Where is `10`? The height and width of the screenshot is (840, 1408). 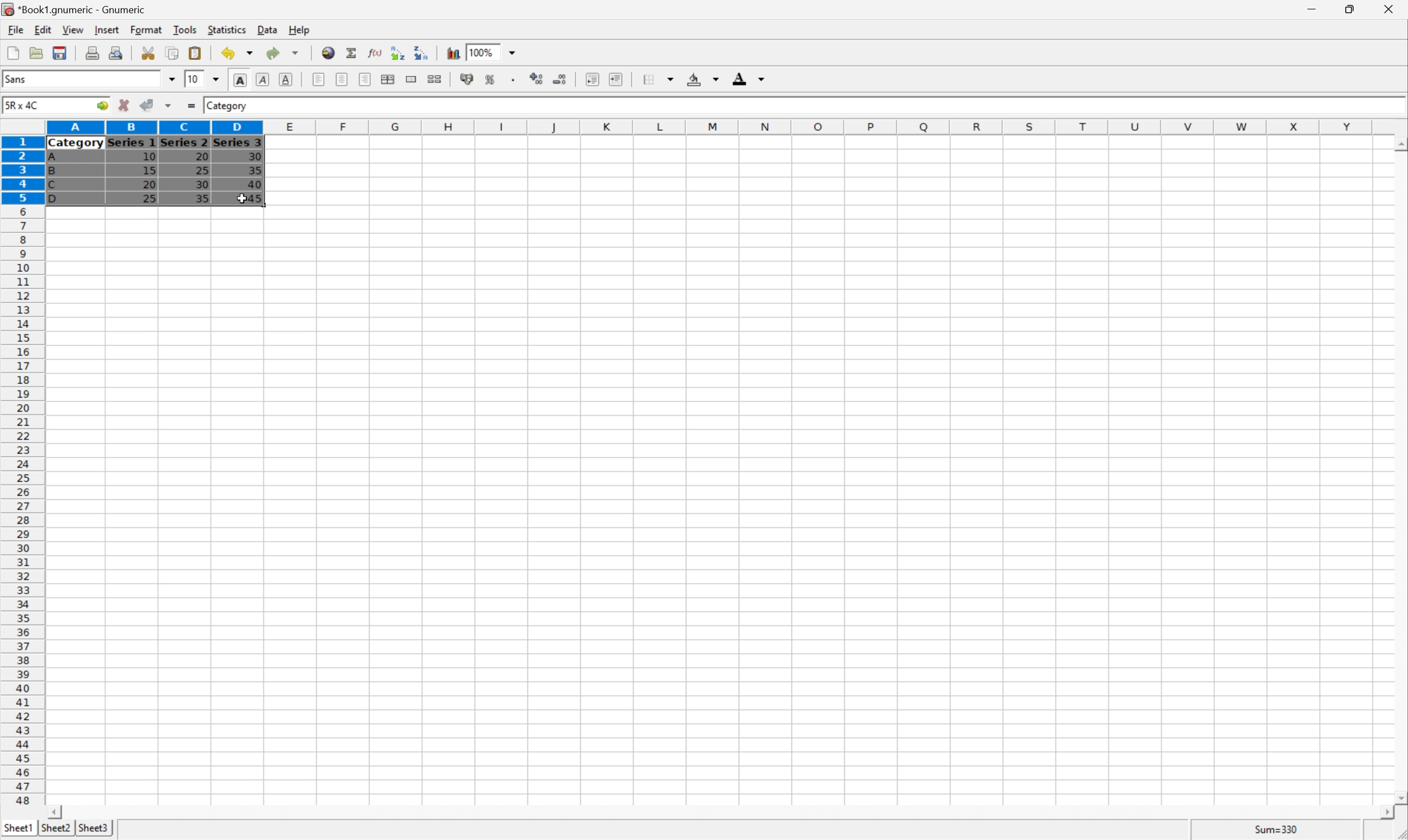 10 is located at coordinates (194, 79).